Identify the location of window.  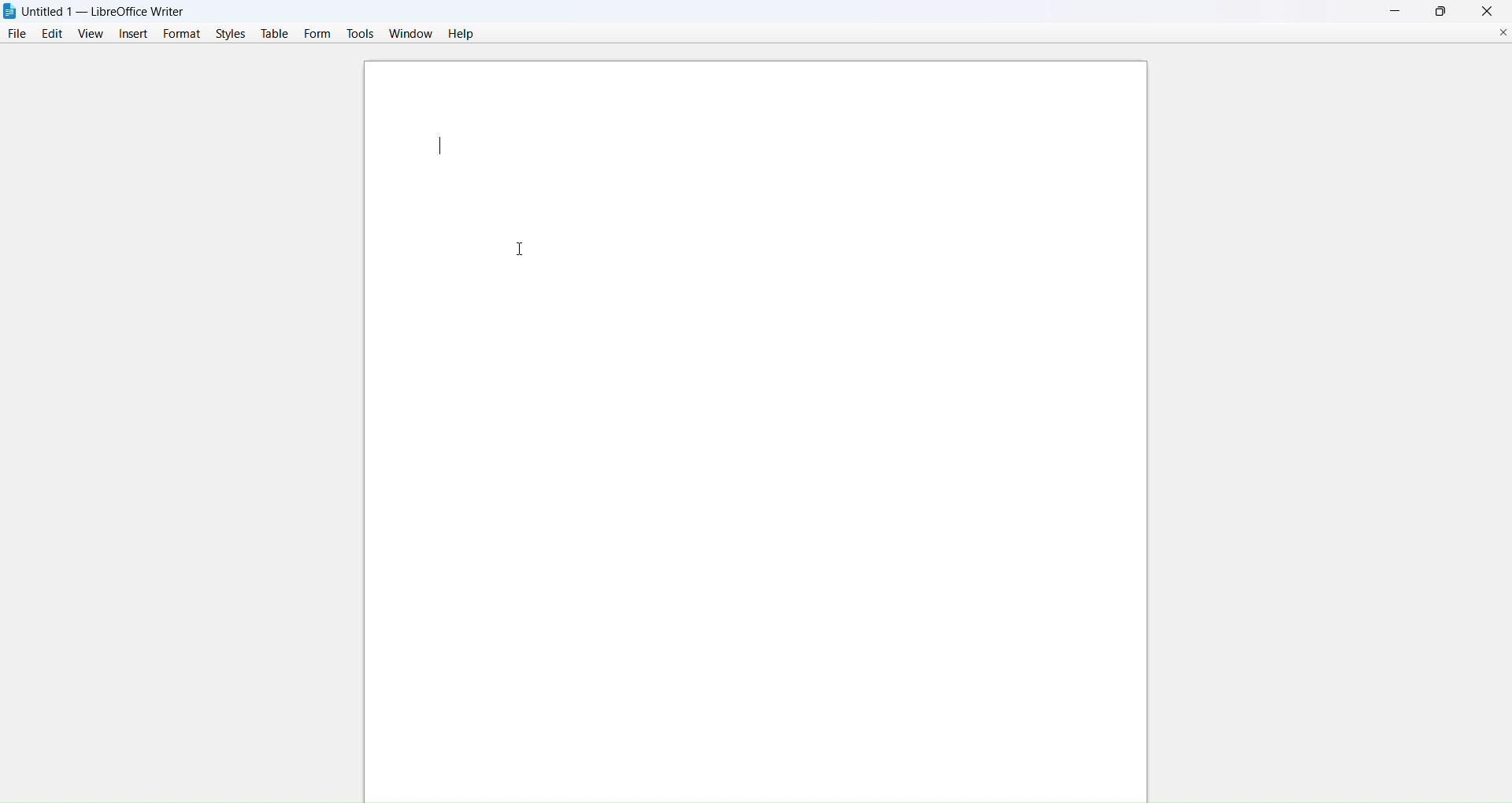
(412, 34).